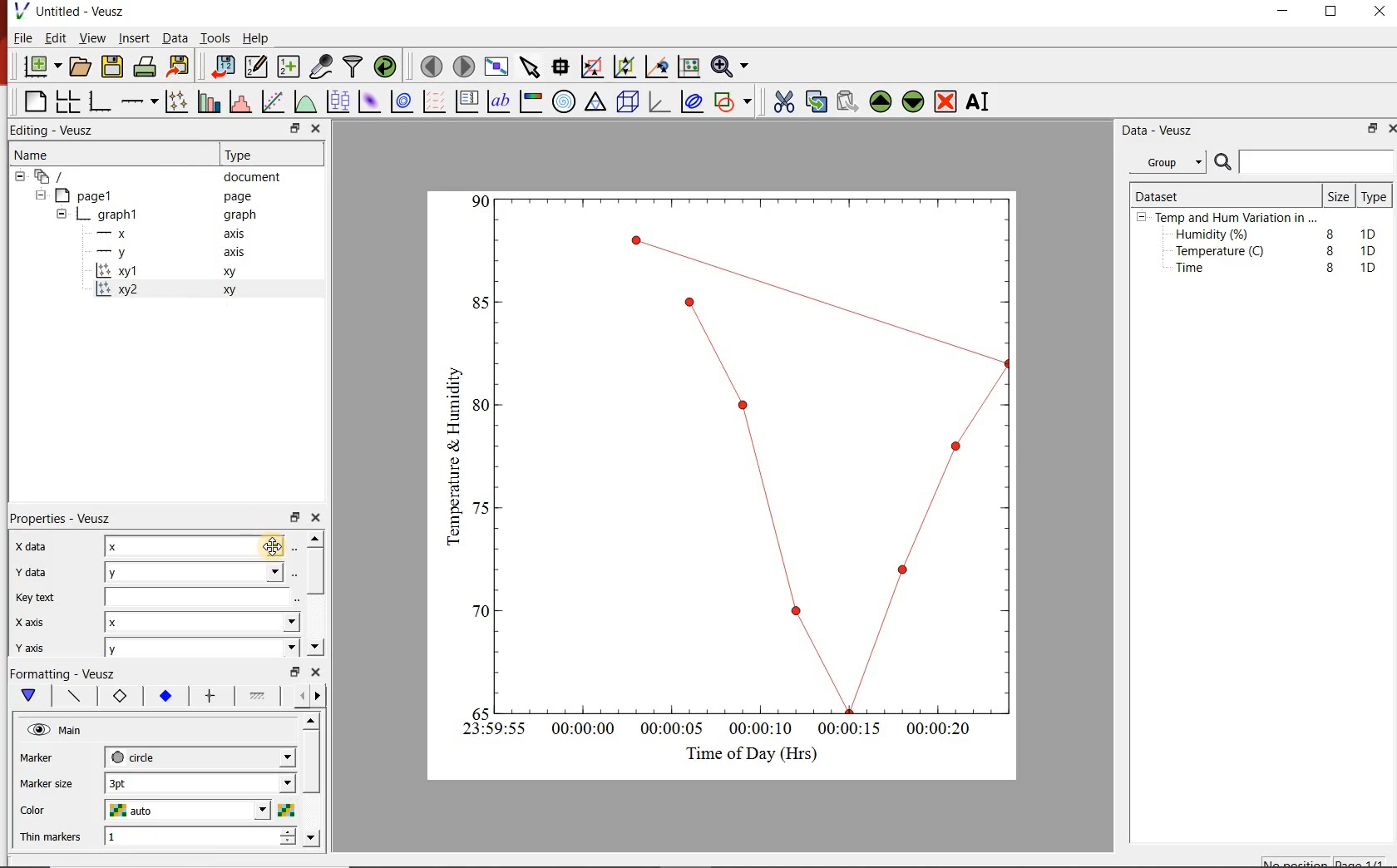 The width and height of the screenshot is (1397, 868). I want to click on Properties - Veusz, so click(69, 515).